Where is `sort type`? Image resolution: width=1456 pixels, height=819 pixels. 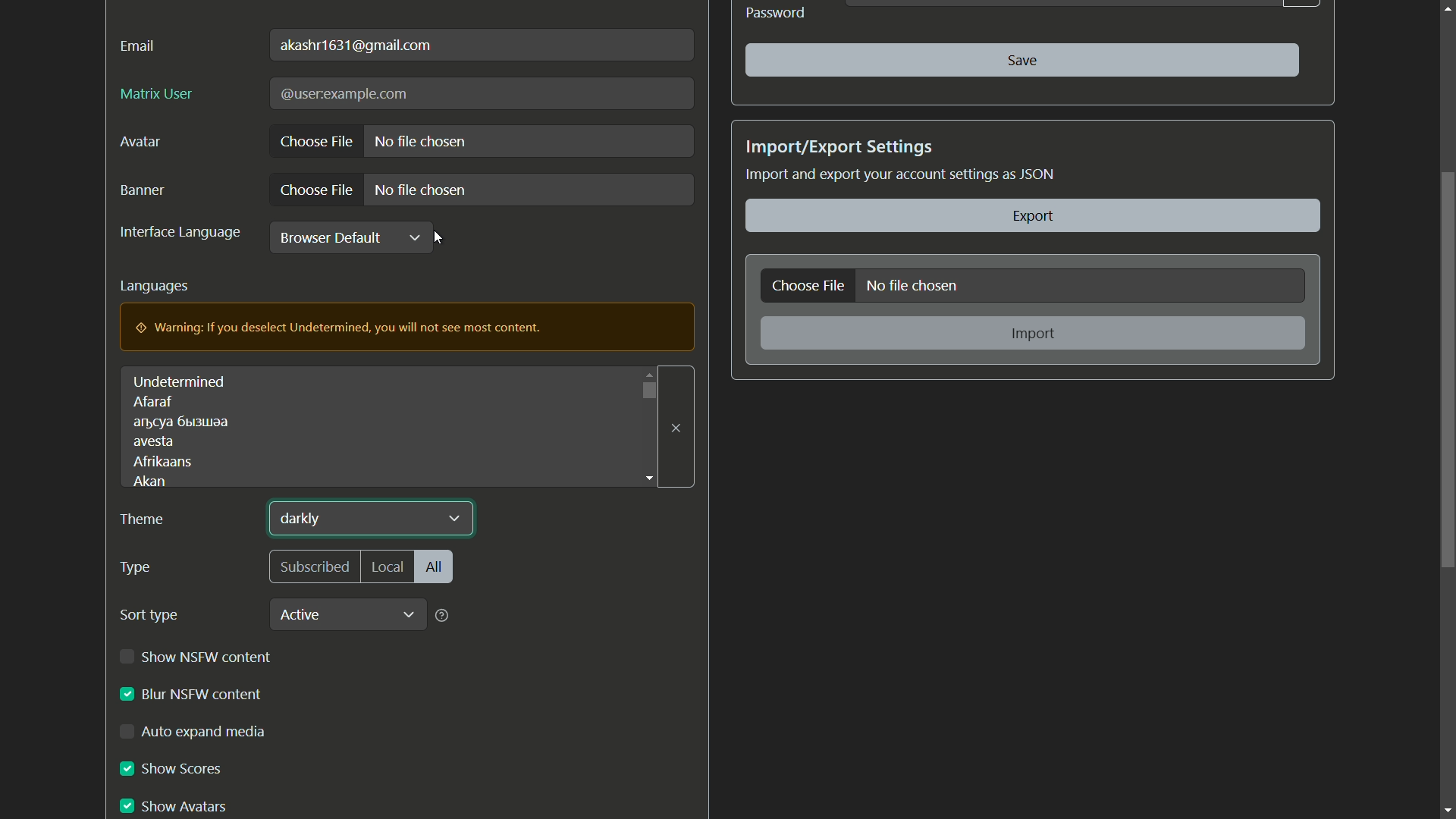
sort type is located at coordinates (149, 615).